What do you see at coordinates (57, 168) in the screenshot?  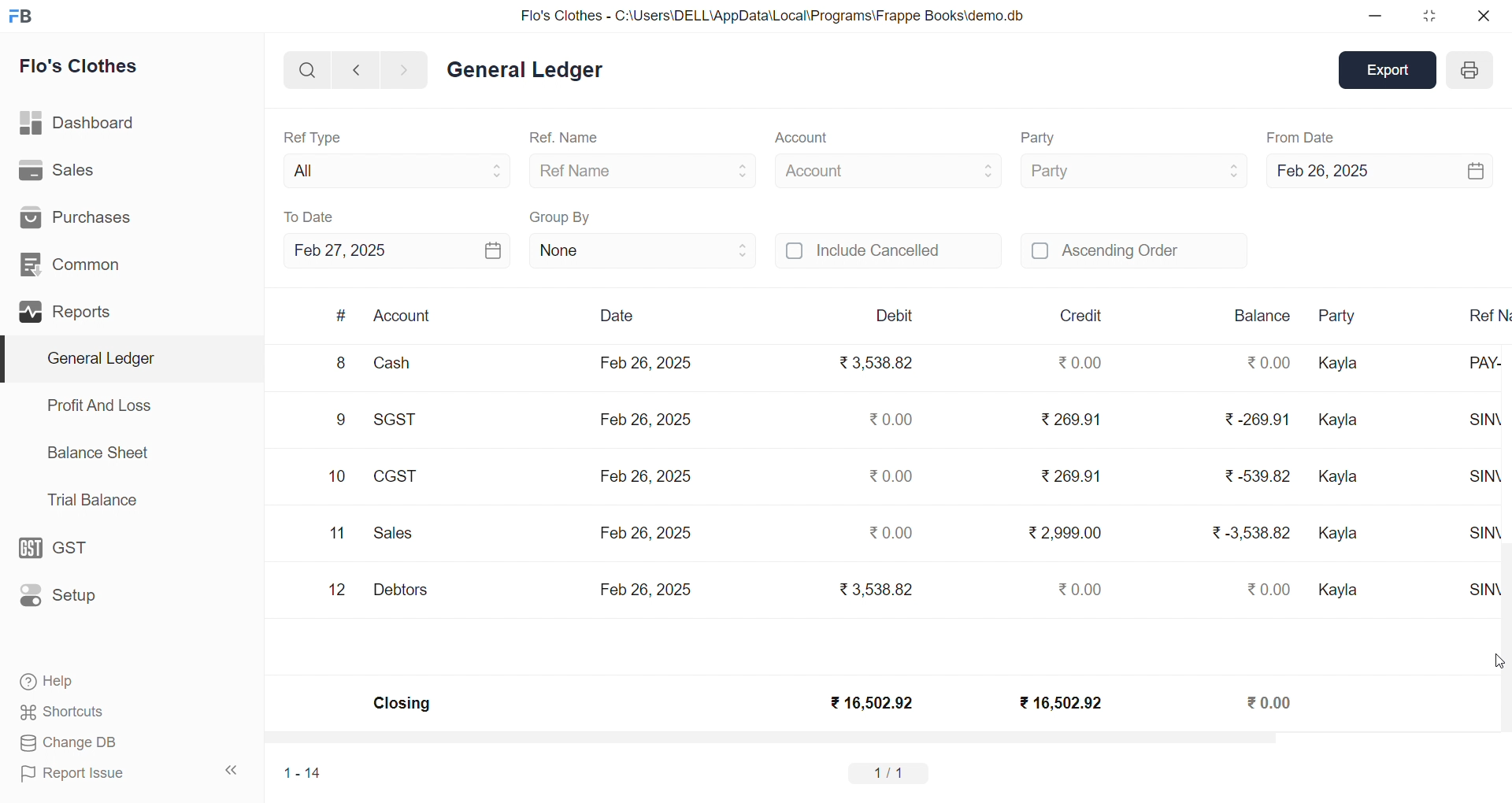 I see `Sales` at bounding box center [57, 168].